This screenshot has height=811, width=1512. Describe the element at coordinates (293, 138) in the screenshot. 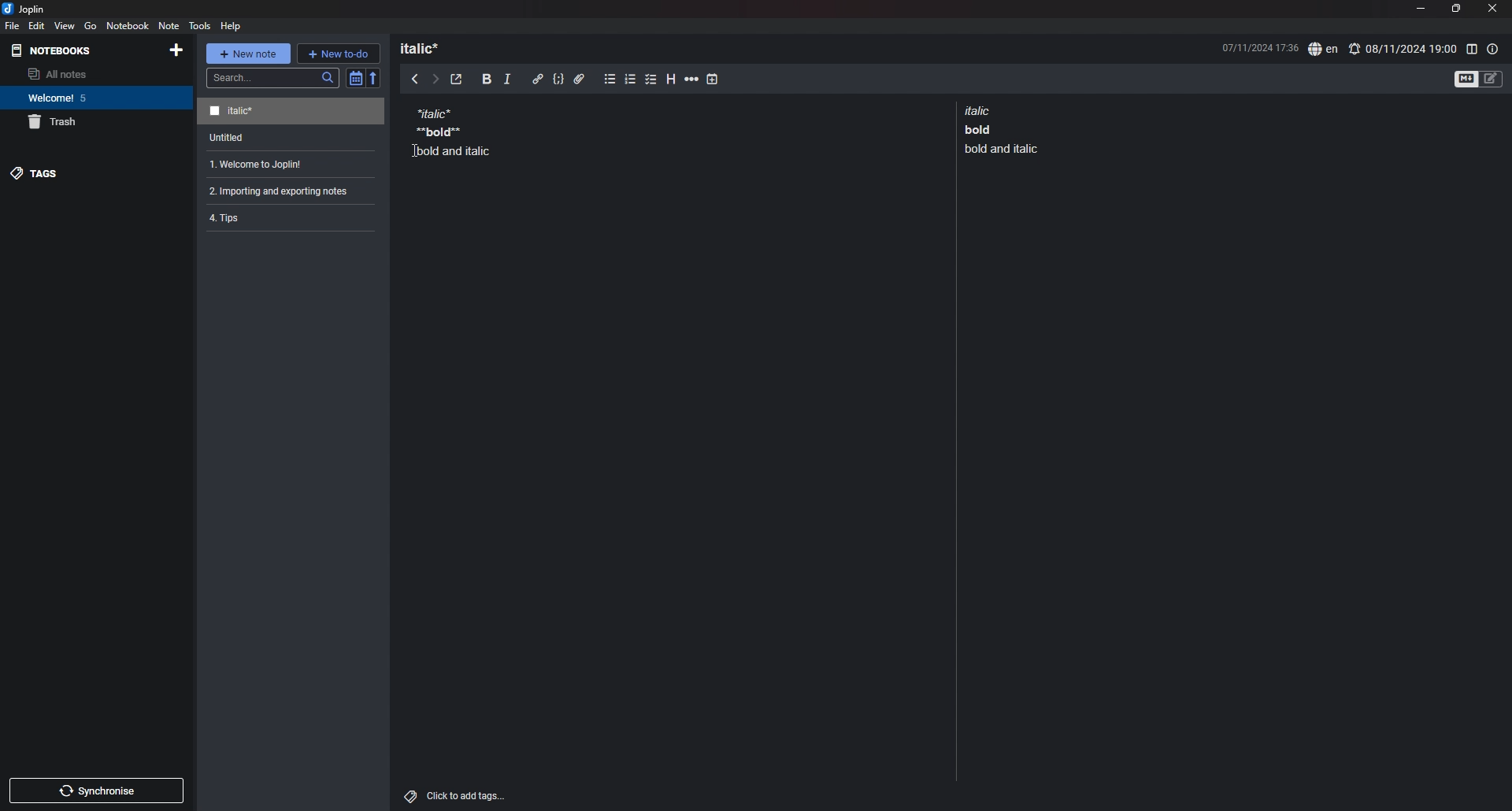

I see `note` at that location.